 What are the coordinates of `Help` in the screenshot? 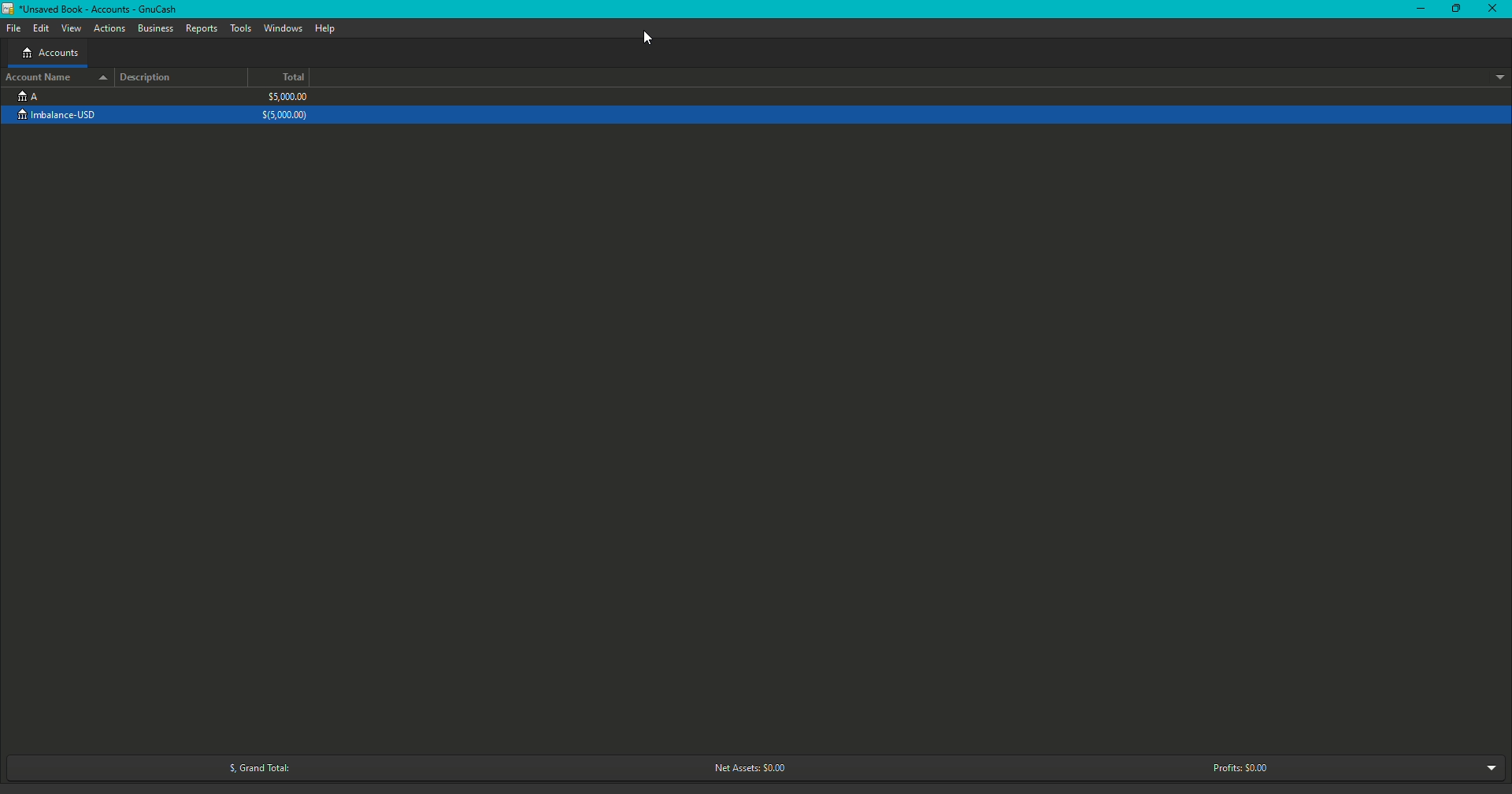 It's located at (324, 28).